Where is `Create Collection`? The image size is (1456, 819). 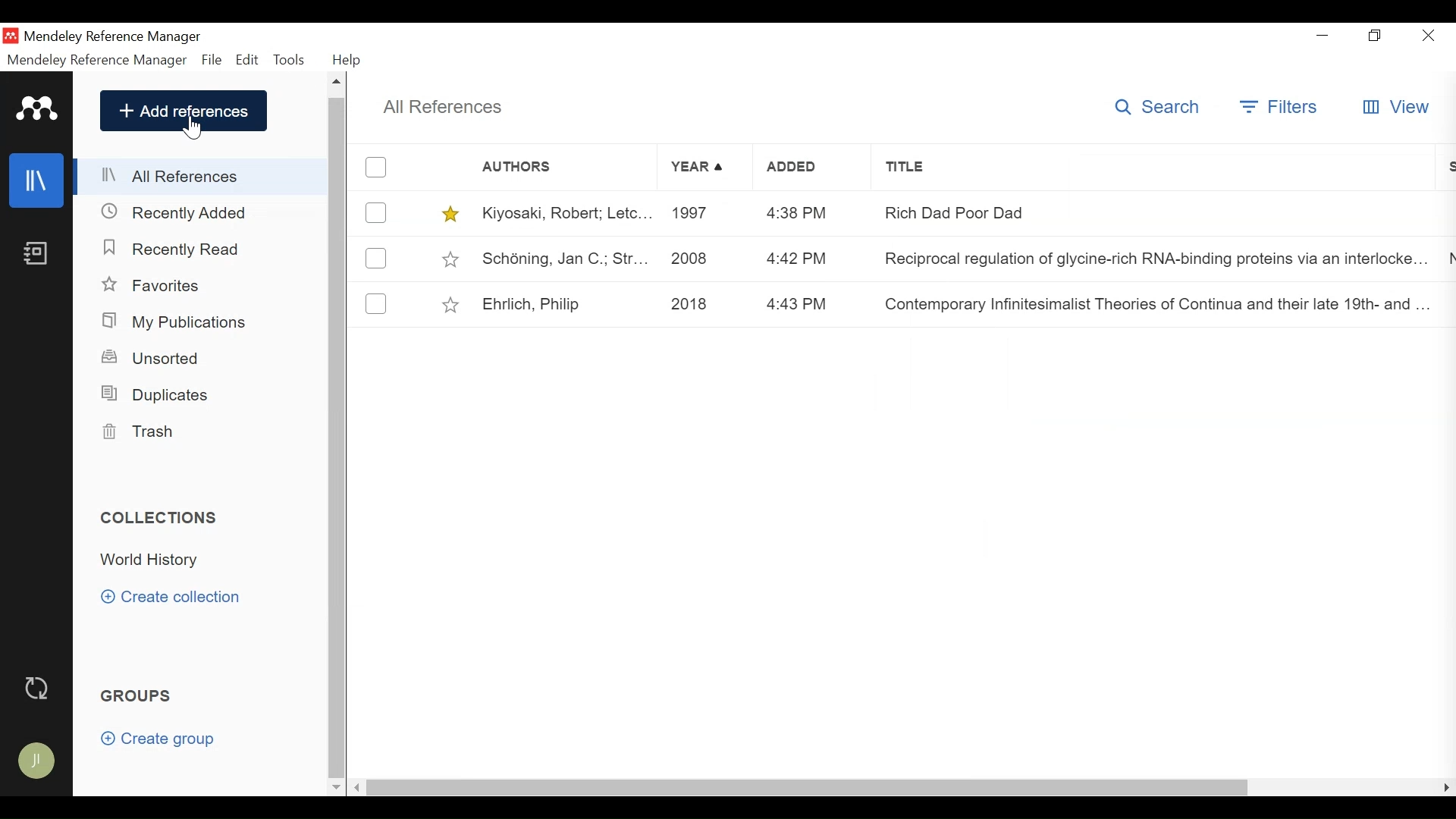
Create Collection is located at coordinates (176, 597).